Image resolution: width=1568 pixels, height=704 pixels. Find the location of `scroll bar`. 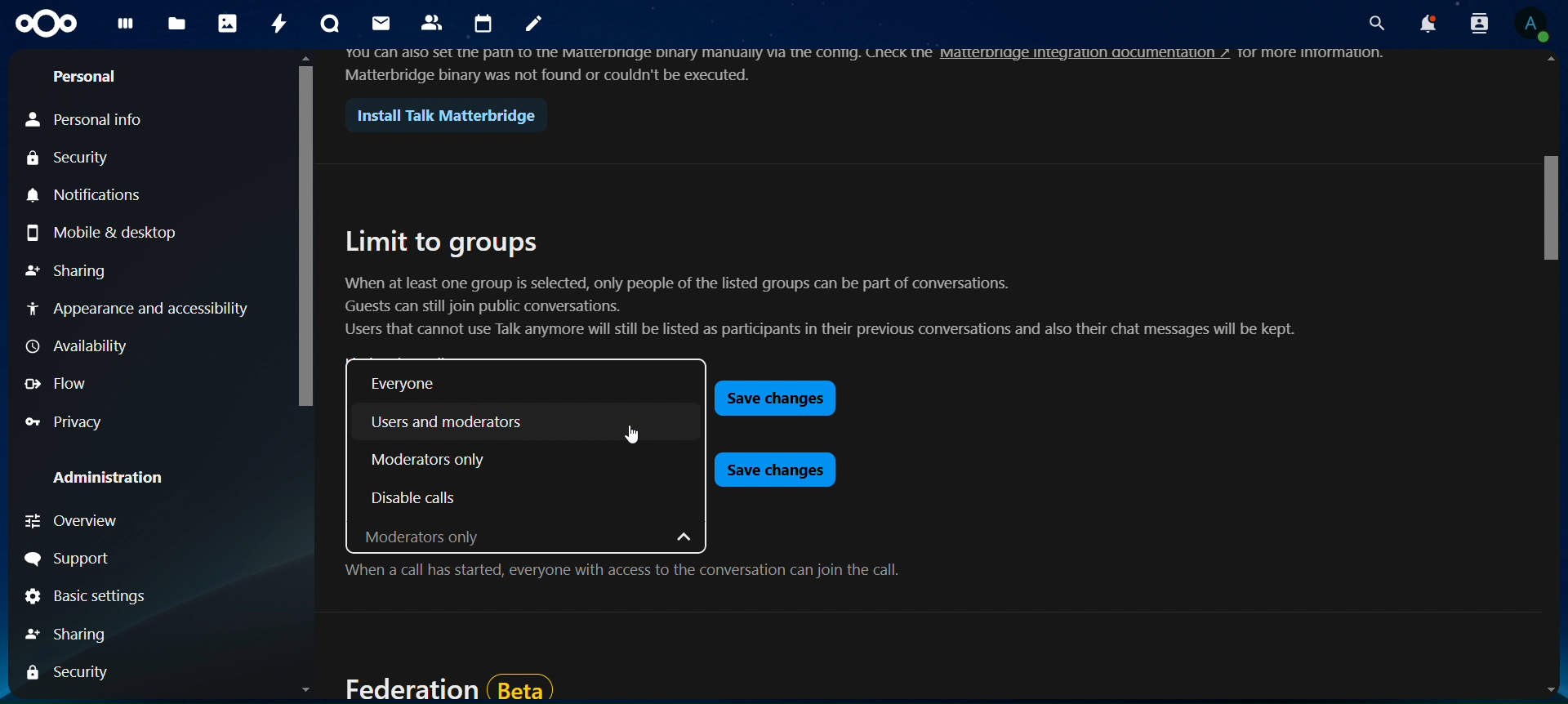

scroll bar is located at coordinates (307, 381).